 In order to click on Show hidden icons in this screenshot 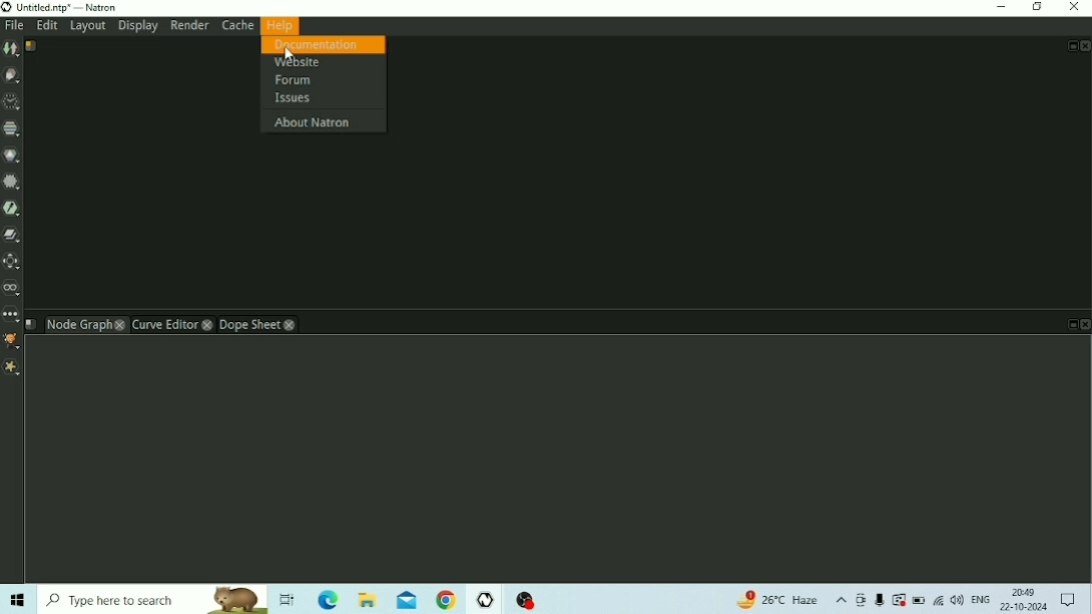, I will do `click(841, 600)`.